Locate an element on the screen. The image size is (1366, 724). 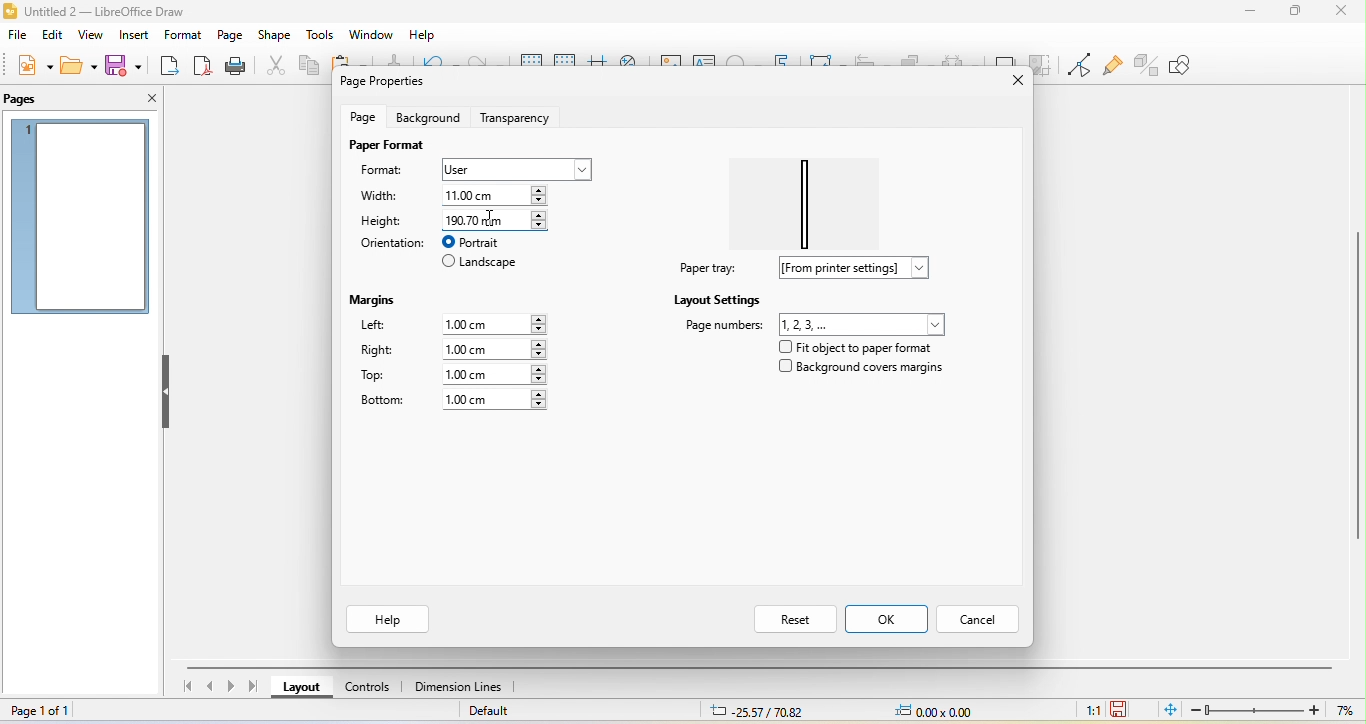
110.00 cm is located at coordinates (500, 194).